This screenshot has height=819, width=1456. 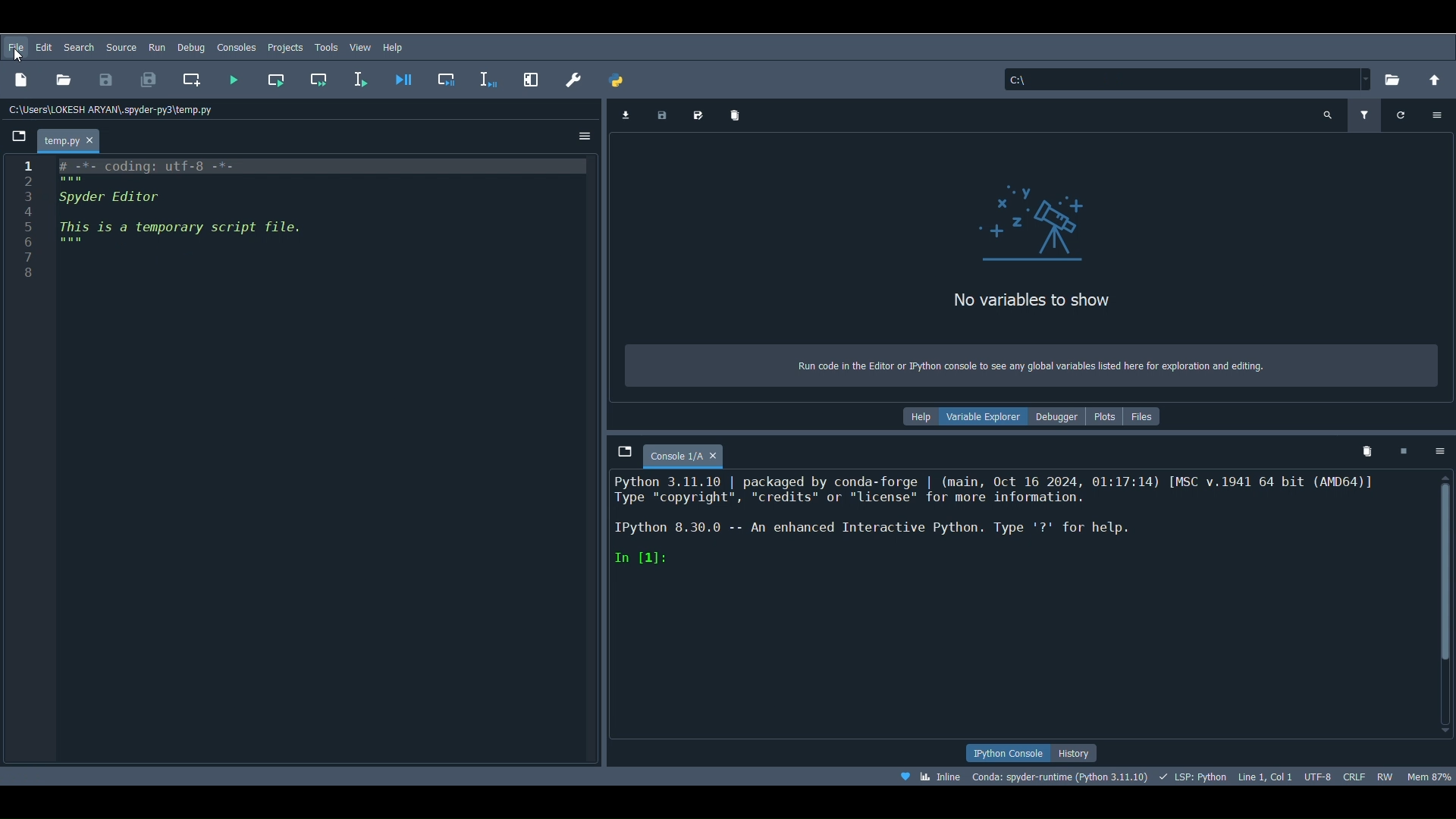 I want to click on File, so click(x=14, y=47).